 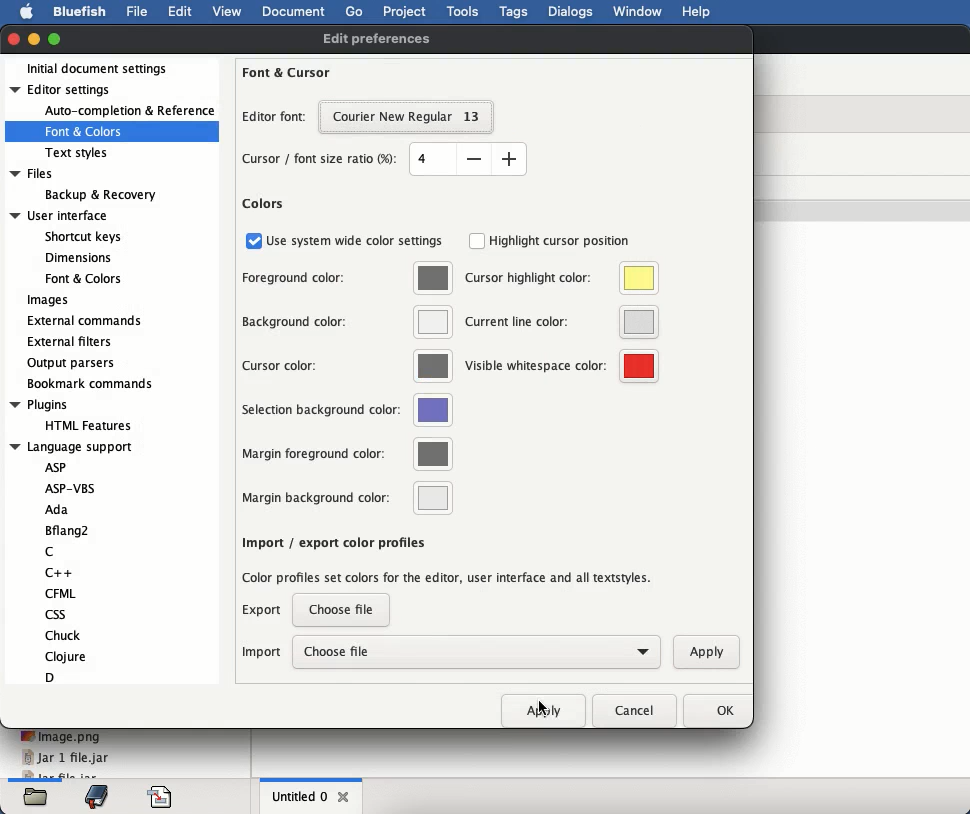 What do you see at coordinates (27, 12) in the screenshot?
I see `apple logo` at bounding box center [27, 12].